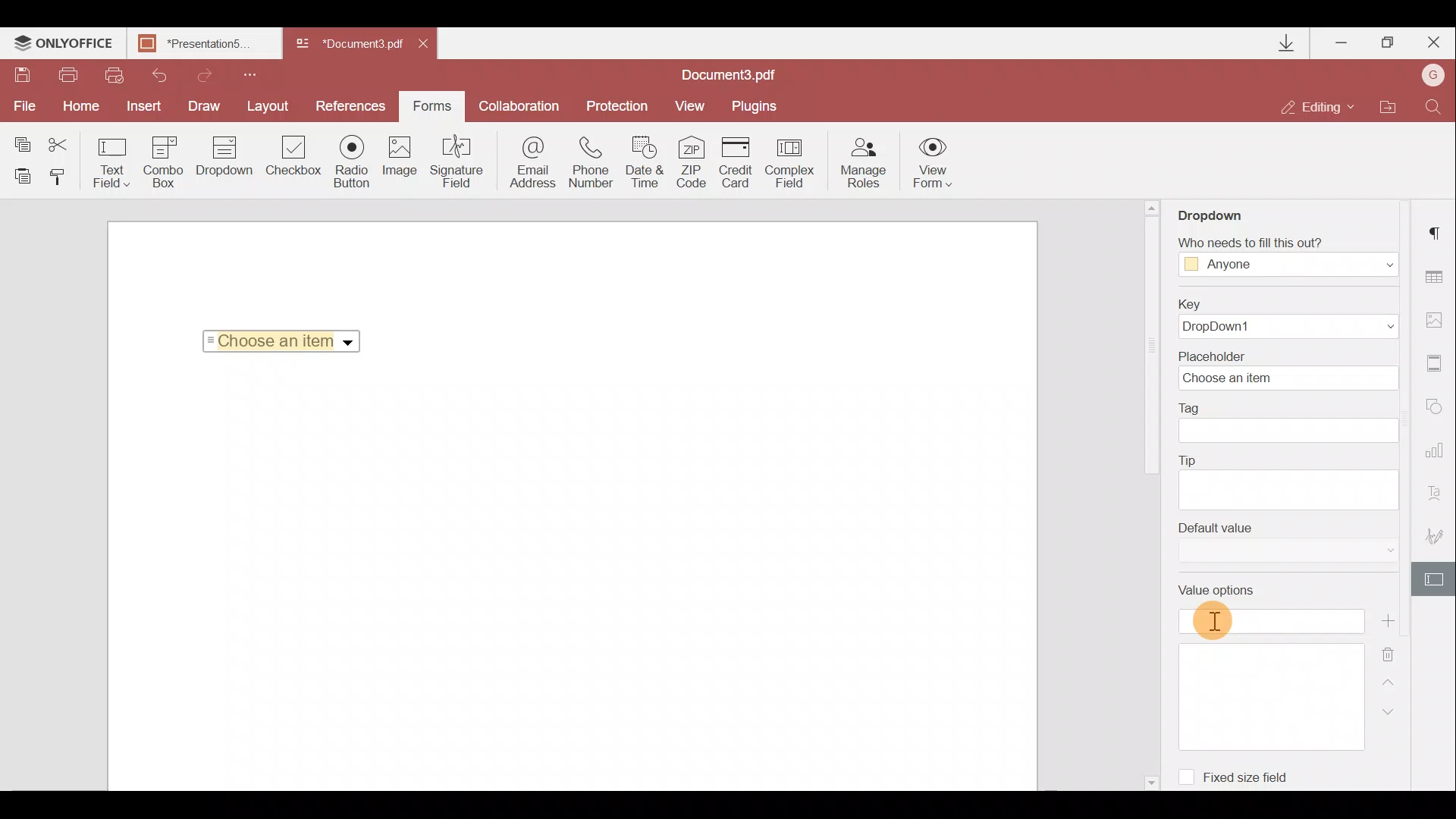 Image resolution: width=1456 pixels, height=819 pixels. I want to click on Text Art settings, so click(1439, 497).